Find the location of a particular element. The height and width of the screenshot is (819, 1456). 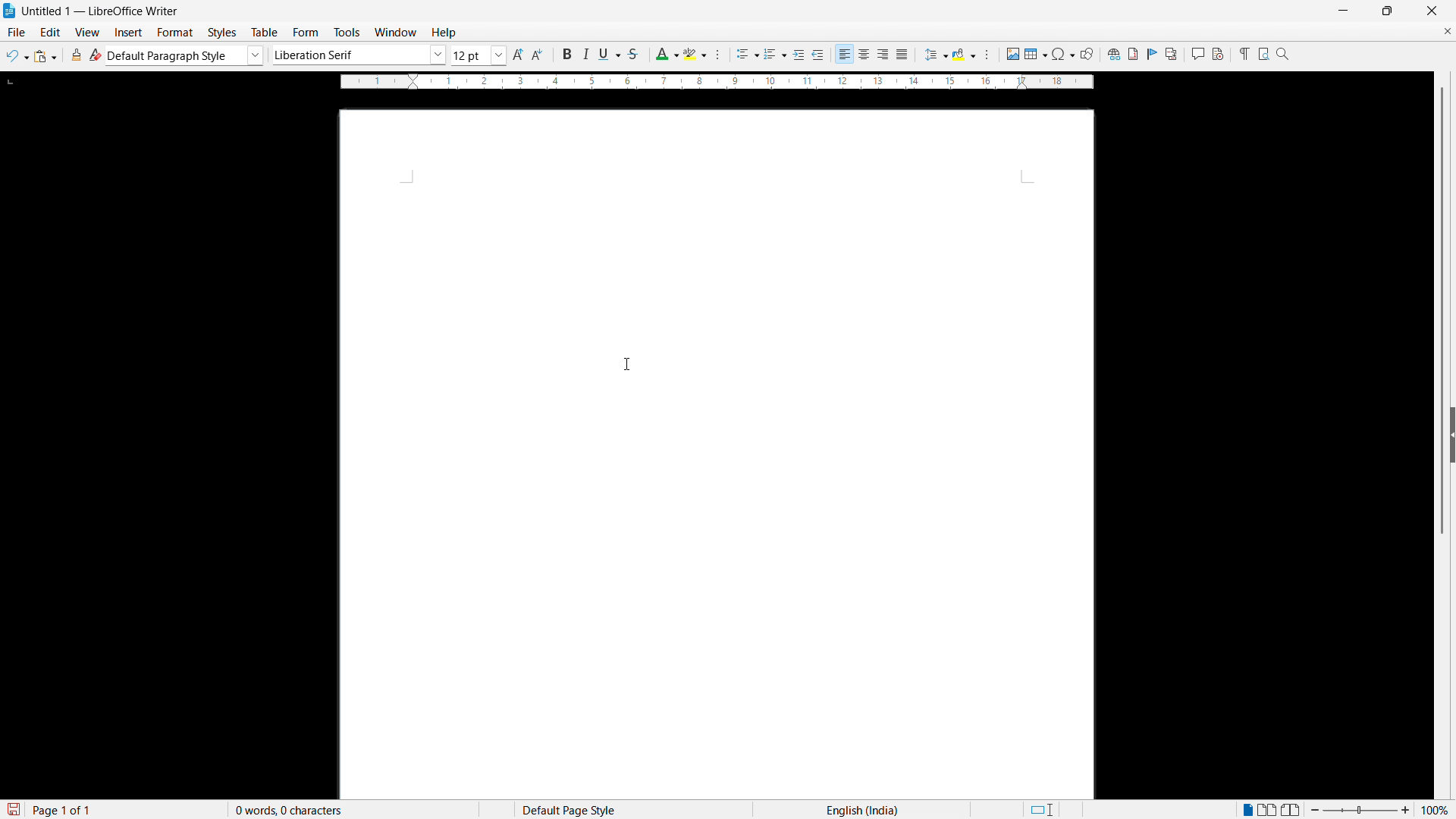

Justify  is located at coordinates (902, 54).